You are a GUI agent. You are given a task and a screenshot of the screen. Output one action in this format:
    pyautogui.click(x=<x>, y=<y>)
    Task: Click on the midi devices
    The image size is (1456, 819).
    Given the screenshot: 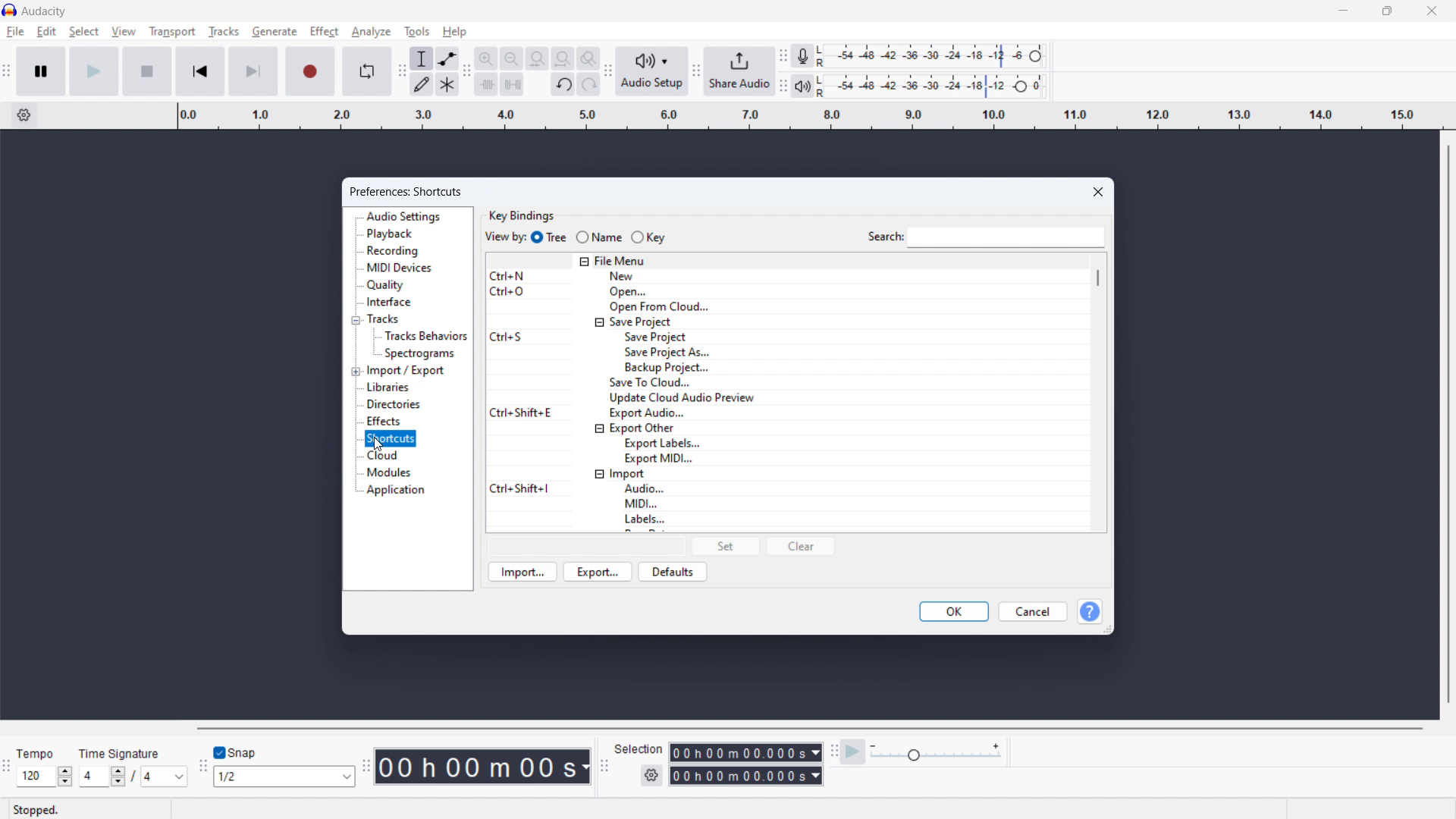 What is the action you would take?
    pyautogui.click(x=400, y=267)
    